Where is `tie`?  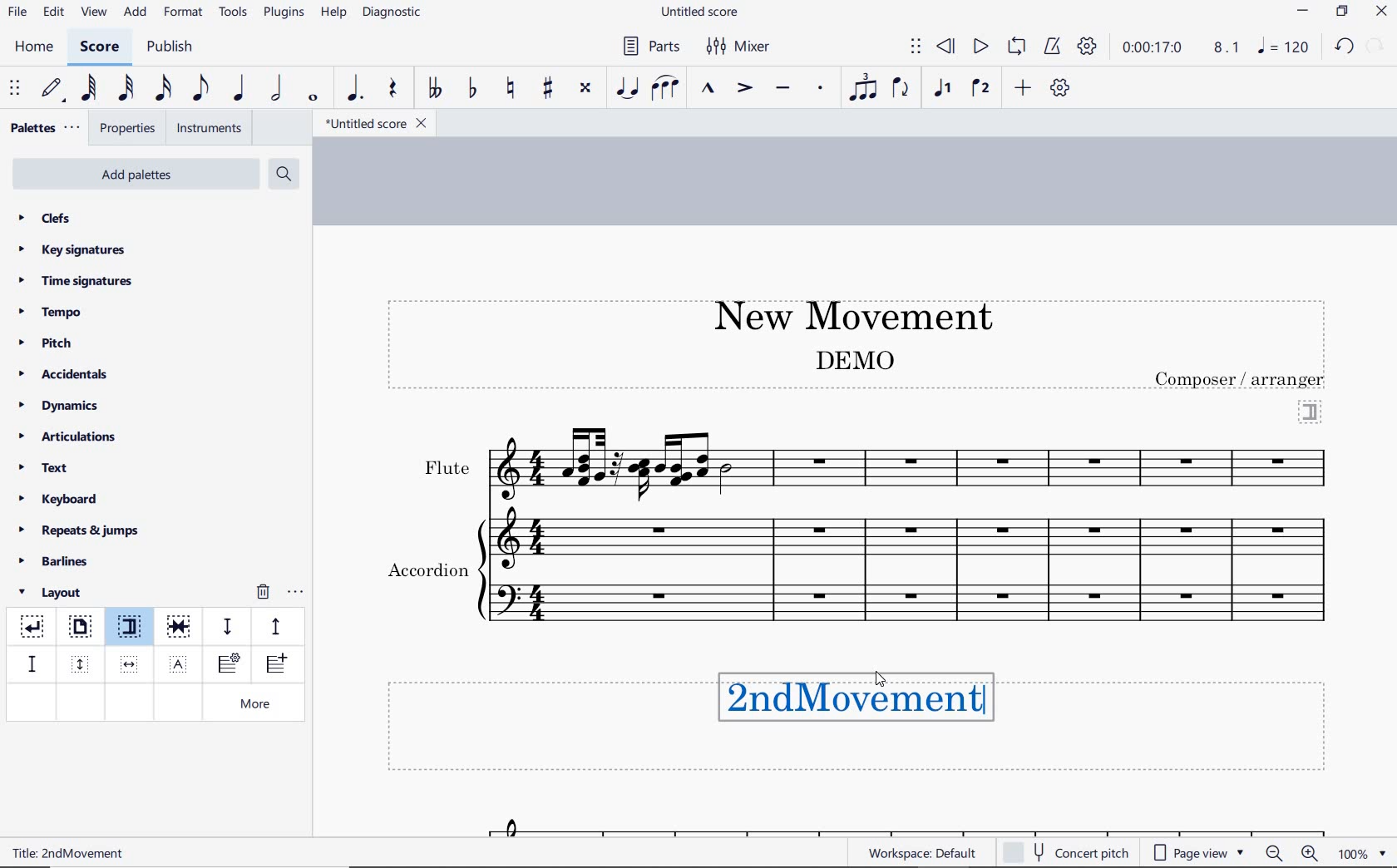 tie is located at coordinates (629, 89).